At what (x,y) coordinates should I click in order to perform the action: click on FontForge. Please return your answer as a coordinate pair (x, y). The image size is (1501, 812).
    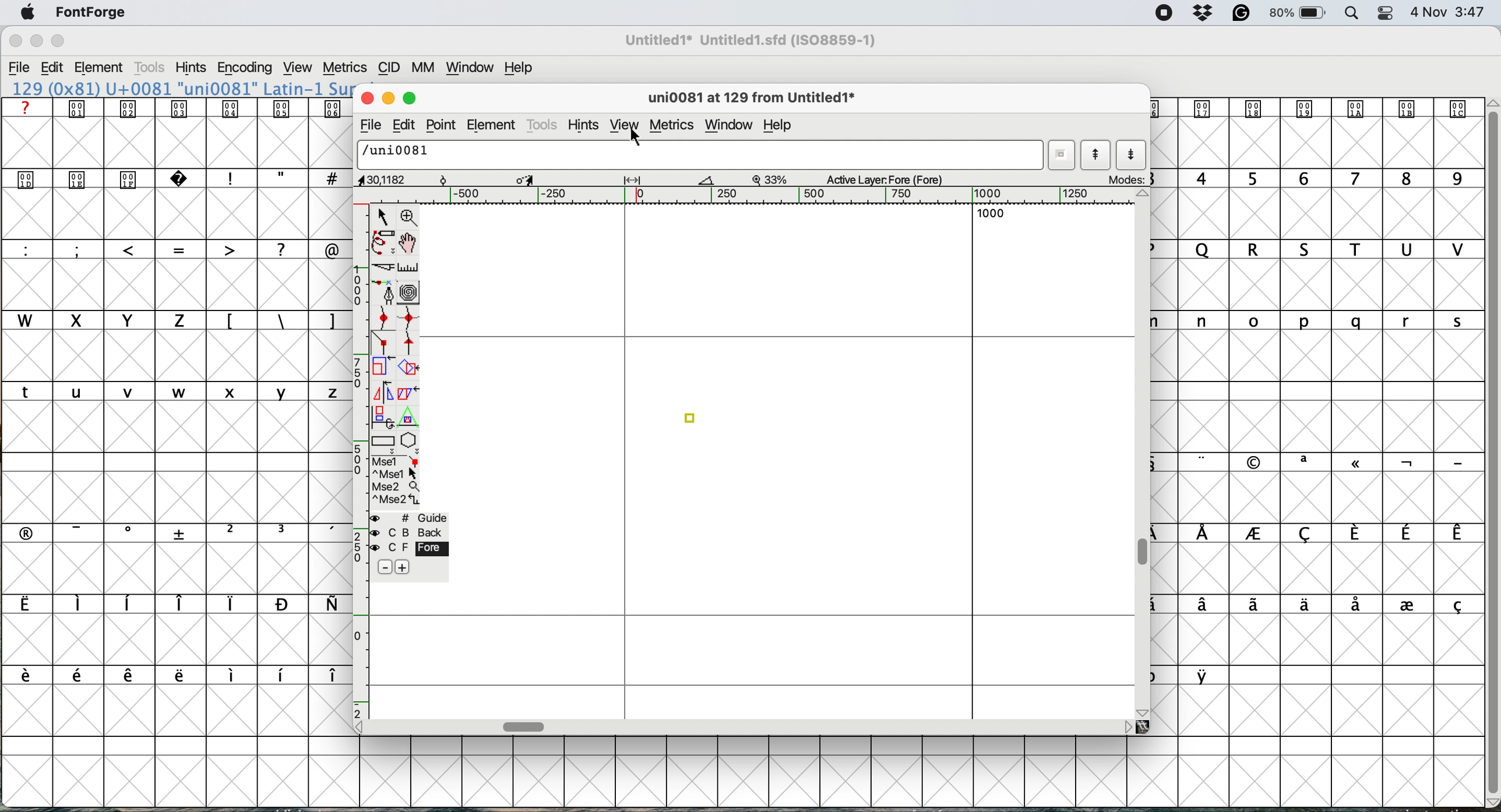
    Looking at the image, I should click on (91, 16).